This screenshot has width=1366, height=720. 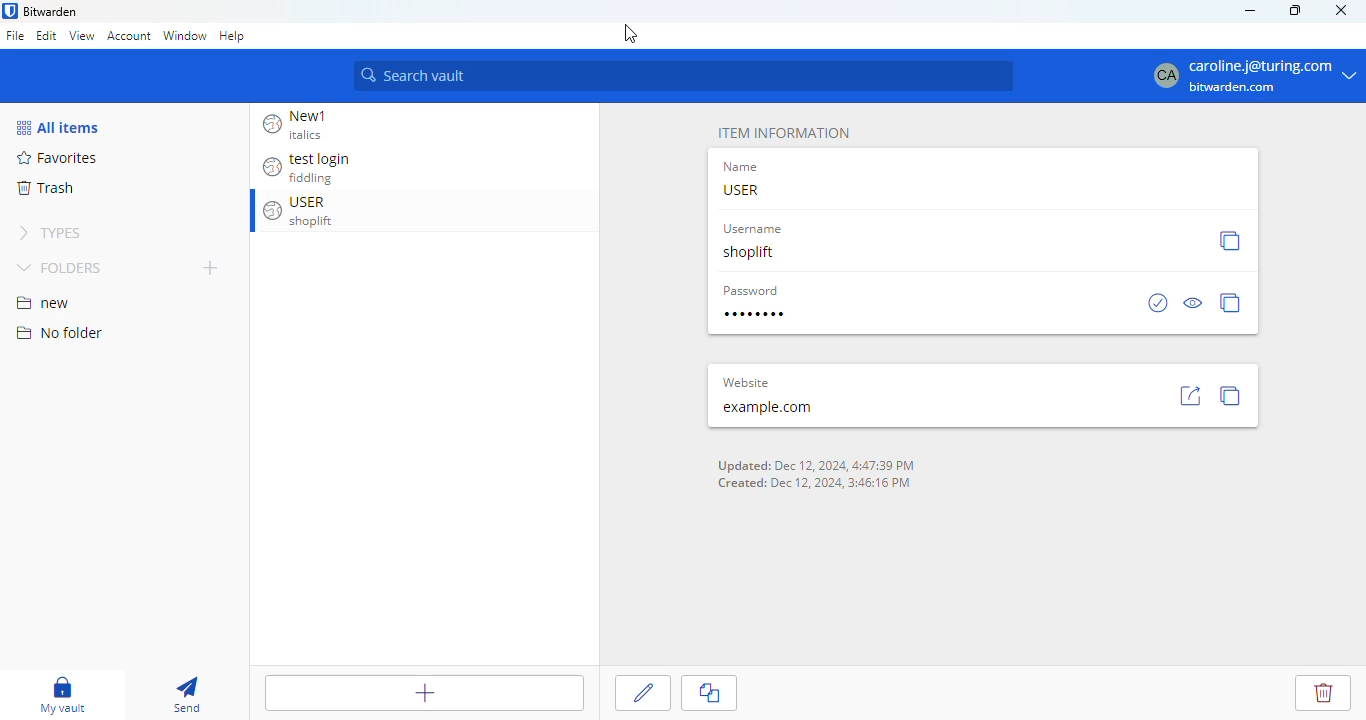 What do you see at coordinates (810, 464) in the screenshot?
I see `Updated: Dec 12, 2024, 4:47:39 PM` at bounding box center [810, 464].